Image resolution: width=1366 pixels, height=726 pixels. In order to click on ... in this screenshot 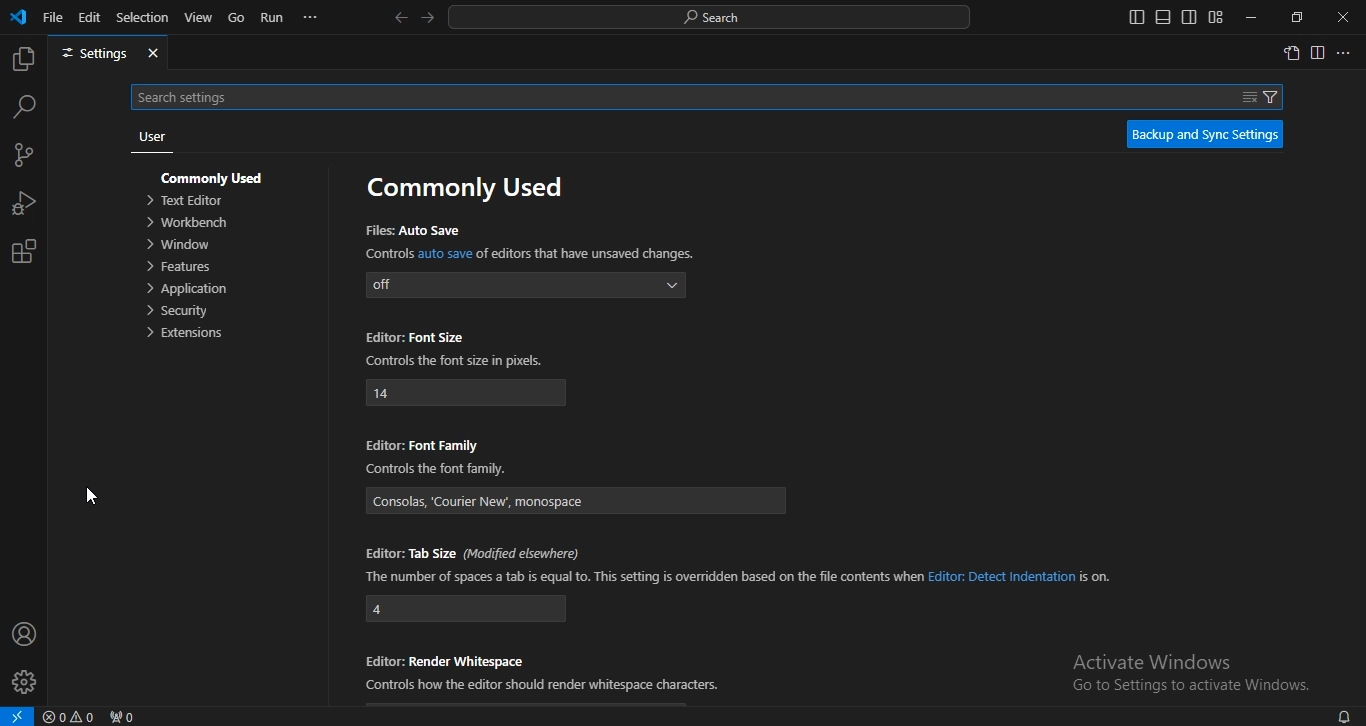, I will do `click(1345, 54)`.